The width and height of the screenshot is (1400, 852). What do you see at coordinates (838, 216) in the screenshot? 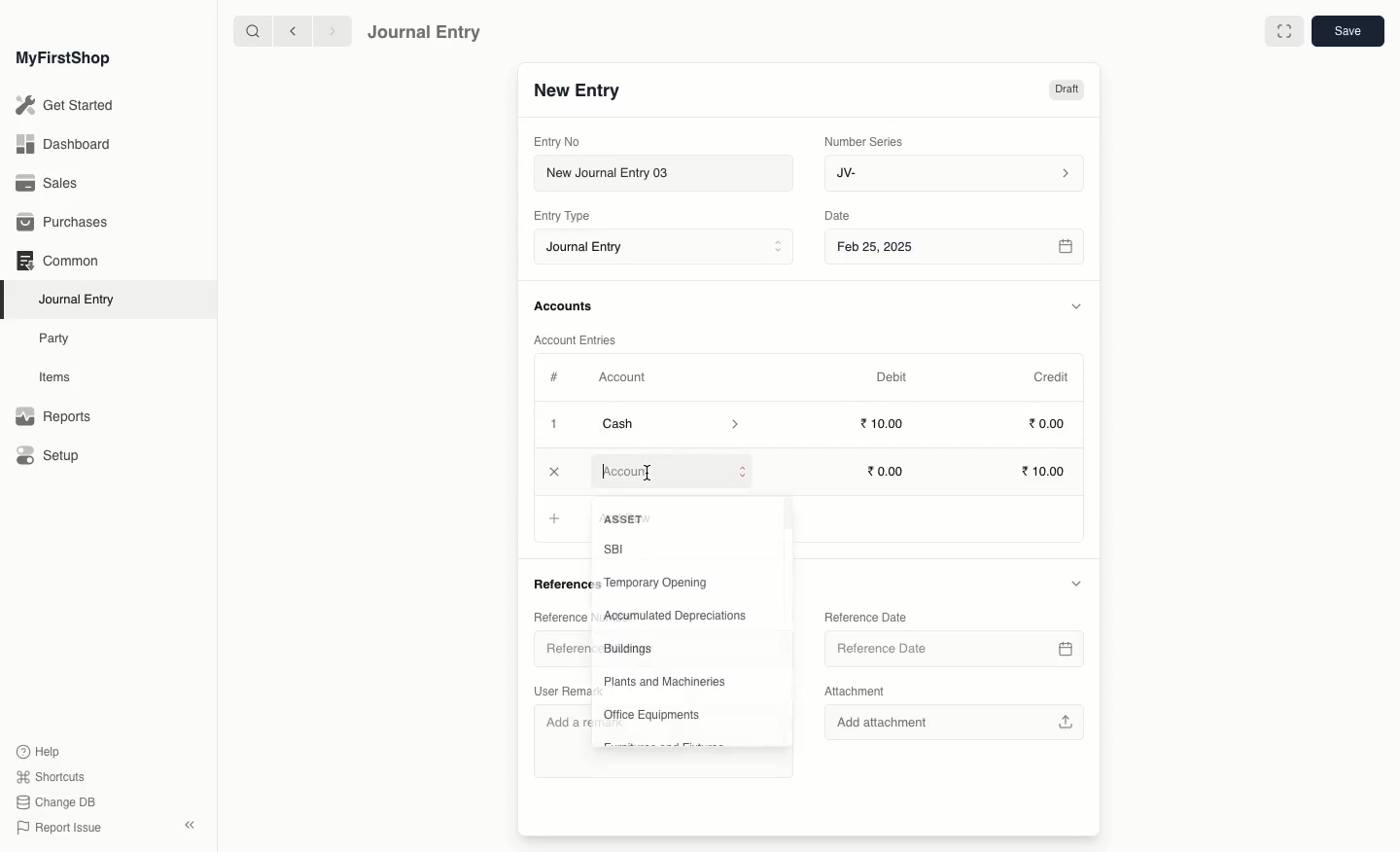
I see `Date` at bounding box center [838, 216].